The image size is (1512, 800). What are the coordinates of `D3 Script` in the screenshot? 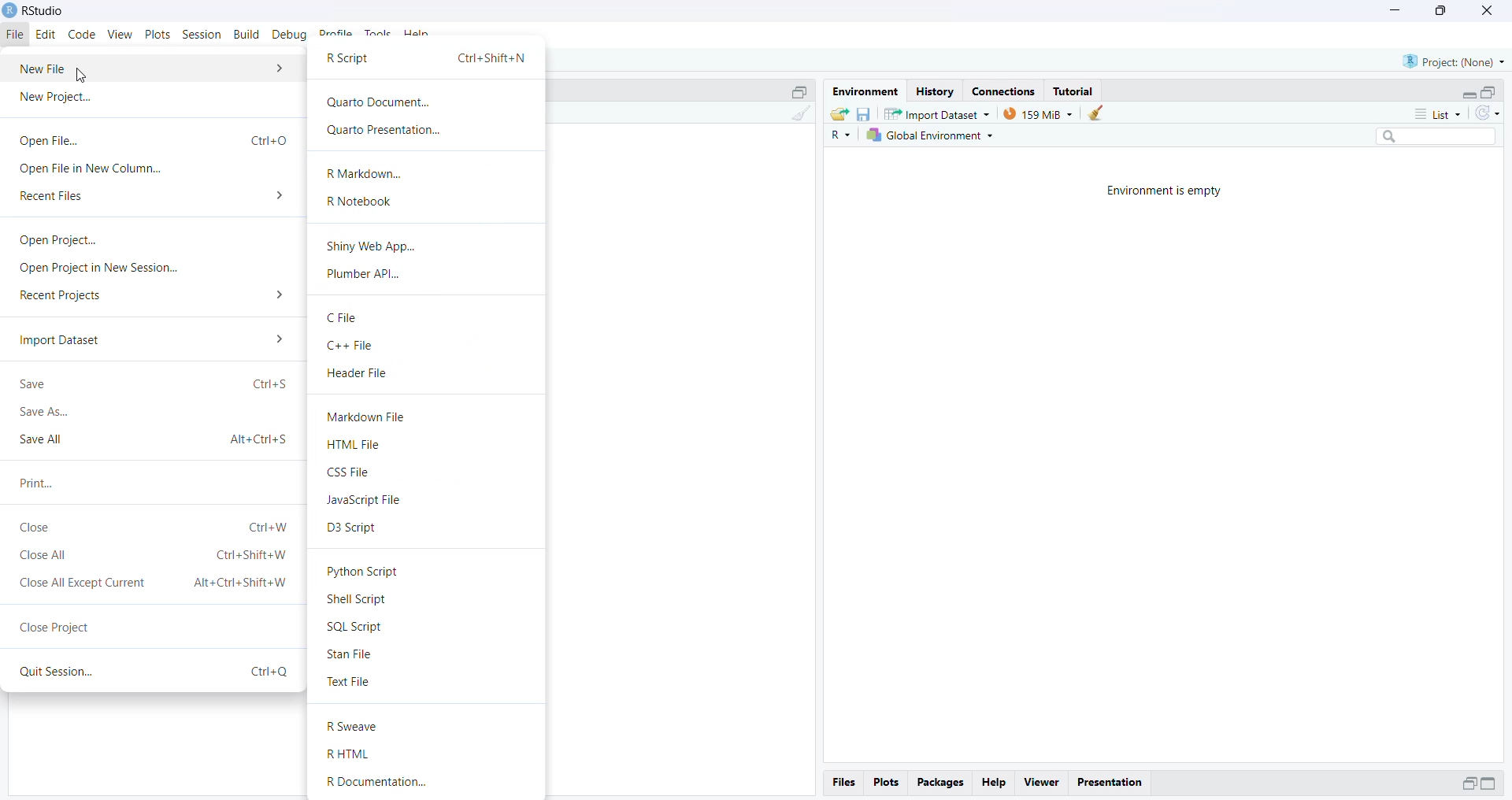 It's located at (352, 528).